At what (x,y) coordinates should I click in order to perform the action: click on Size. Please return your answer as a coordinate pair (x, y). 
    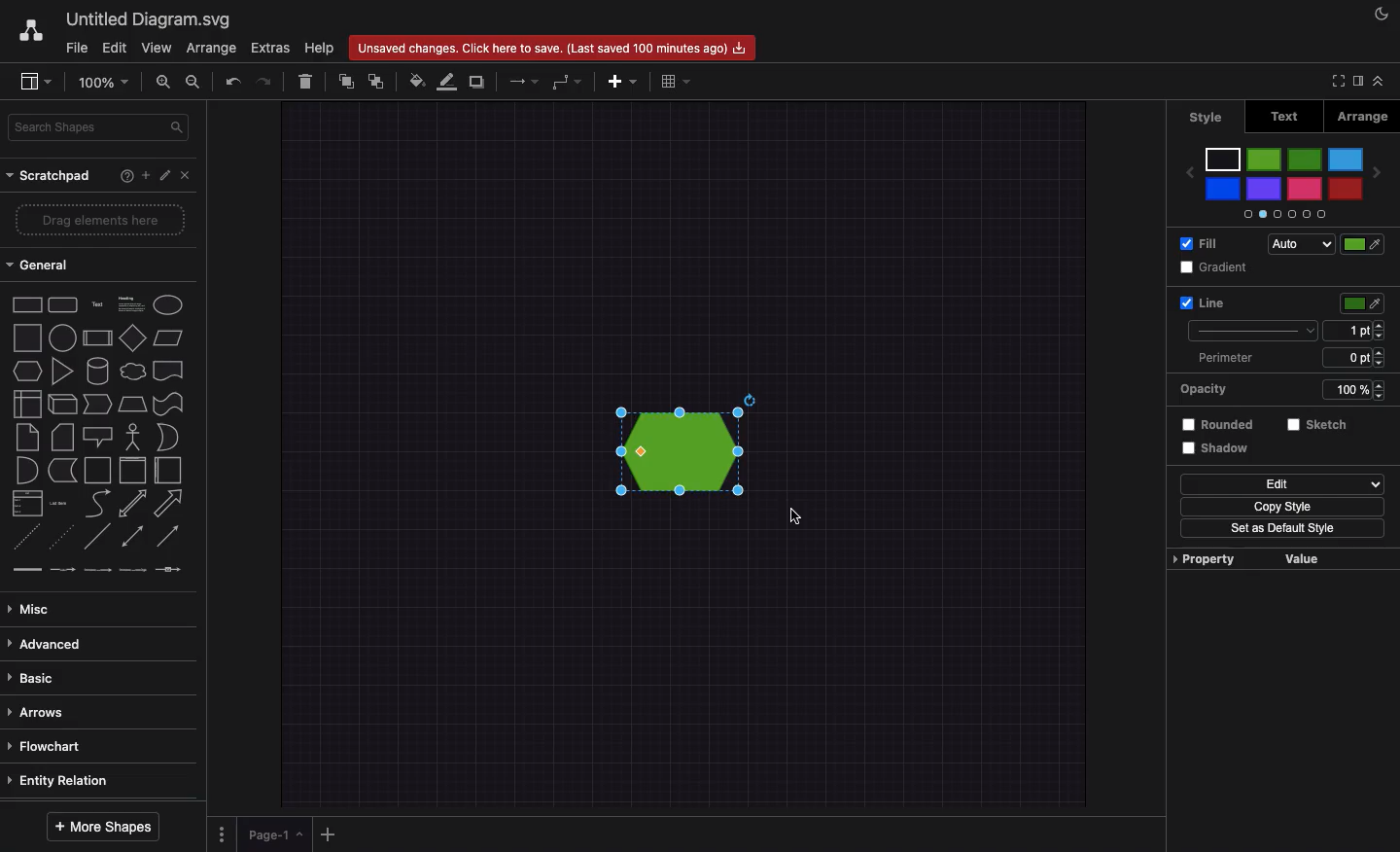
    Looking at the image, I should click on (1361, 332).